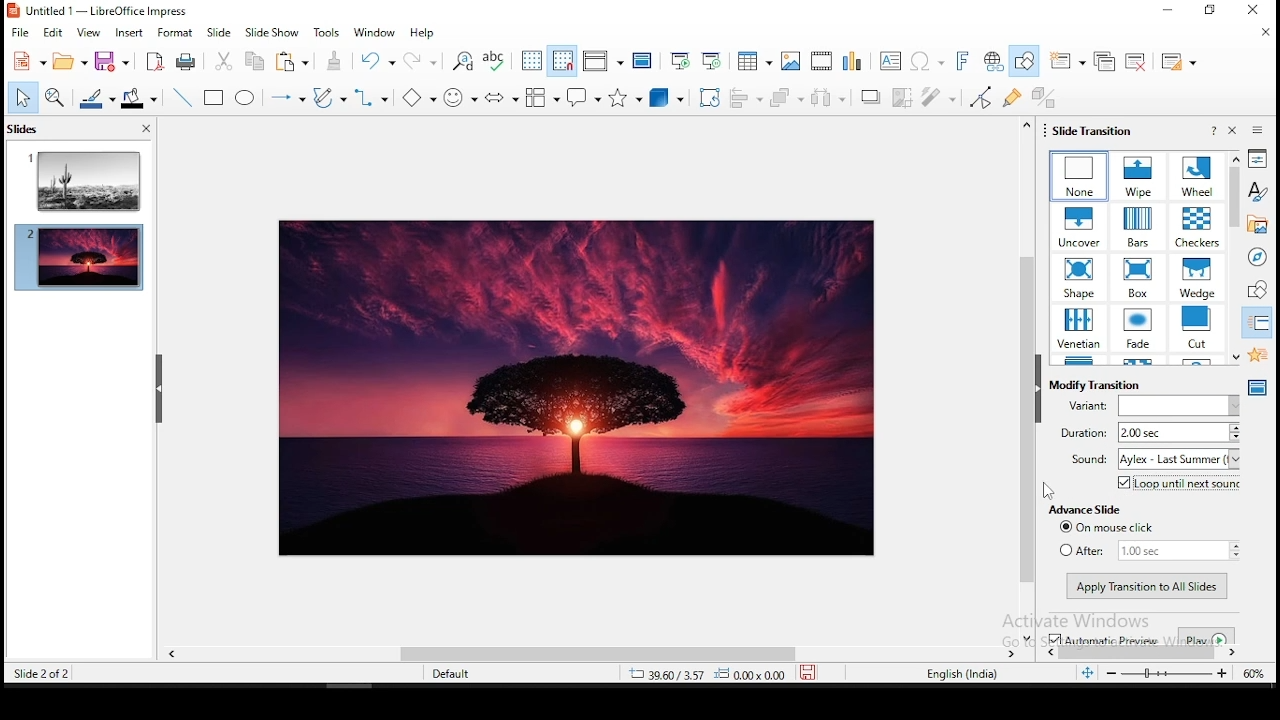  What do you see at coordinates (1257, 159) in the screenshot?
I see `properties` at bounding box center [1257, 159].